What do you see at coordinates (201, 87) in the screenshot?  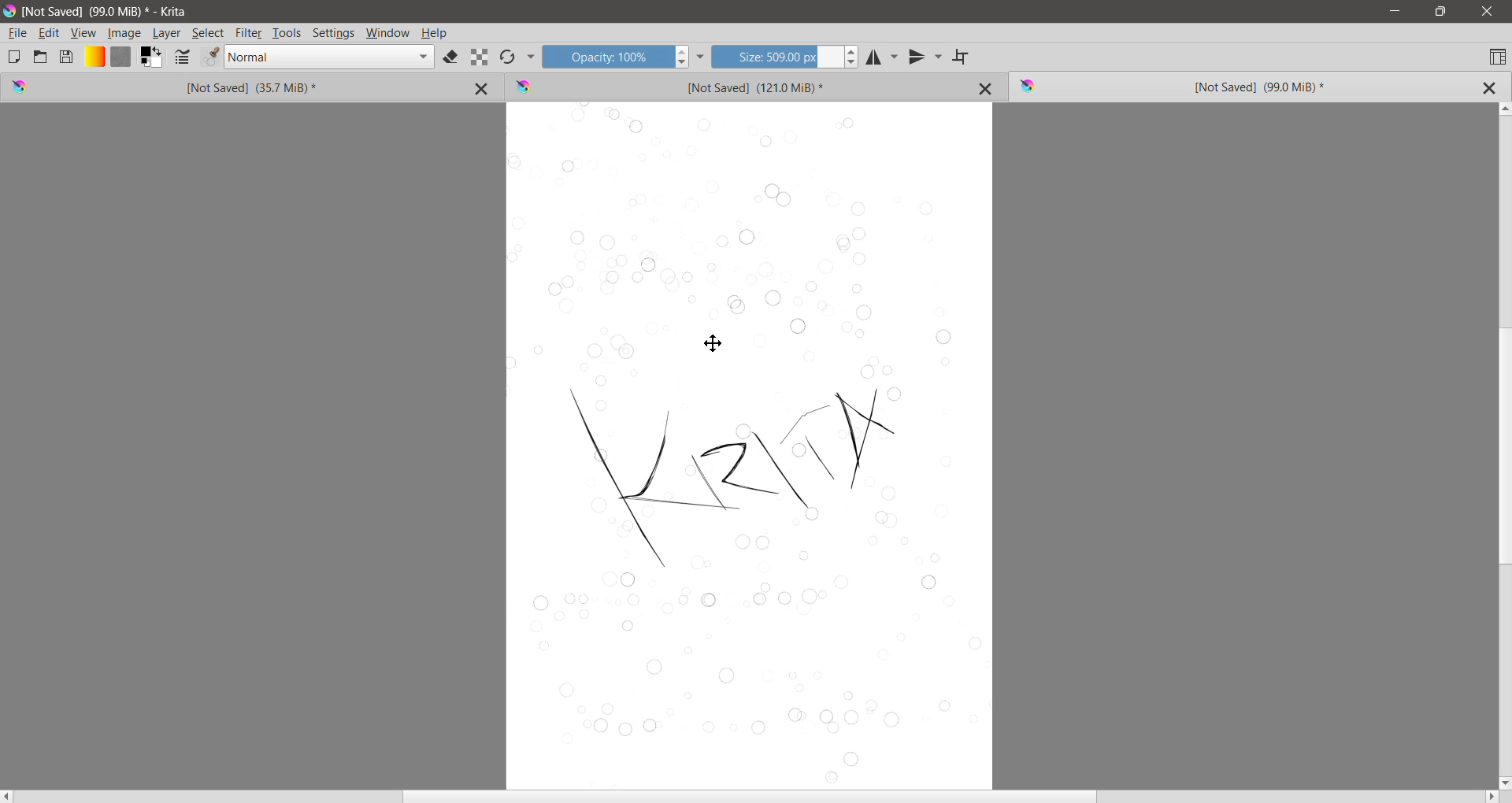 I see `Unsaved Image Tab 1` at bounding box center [201, 87].